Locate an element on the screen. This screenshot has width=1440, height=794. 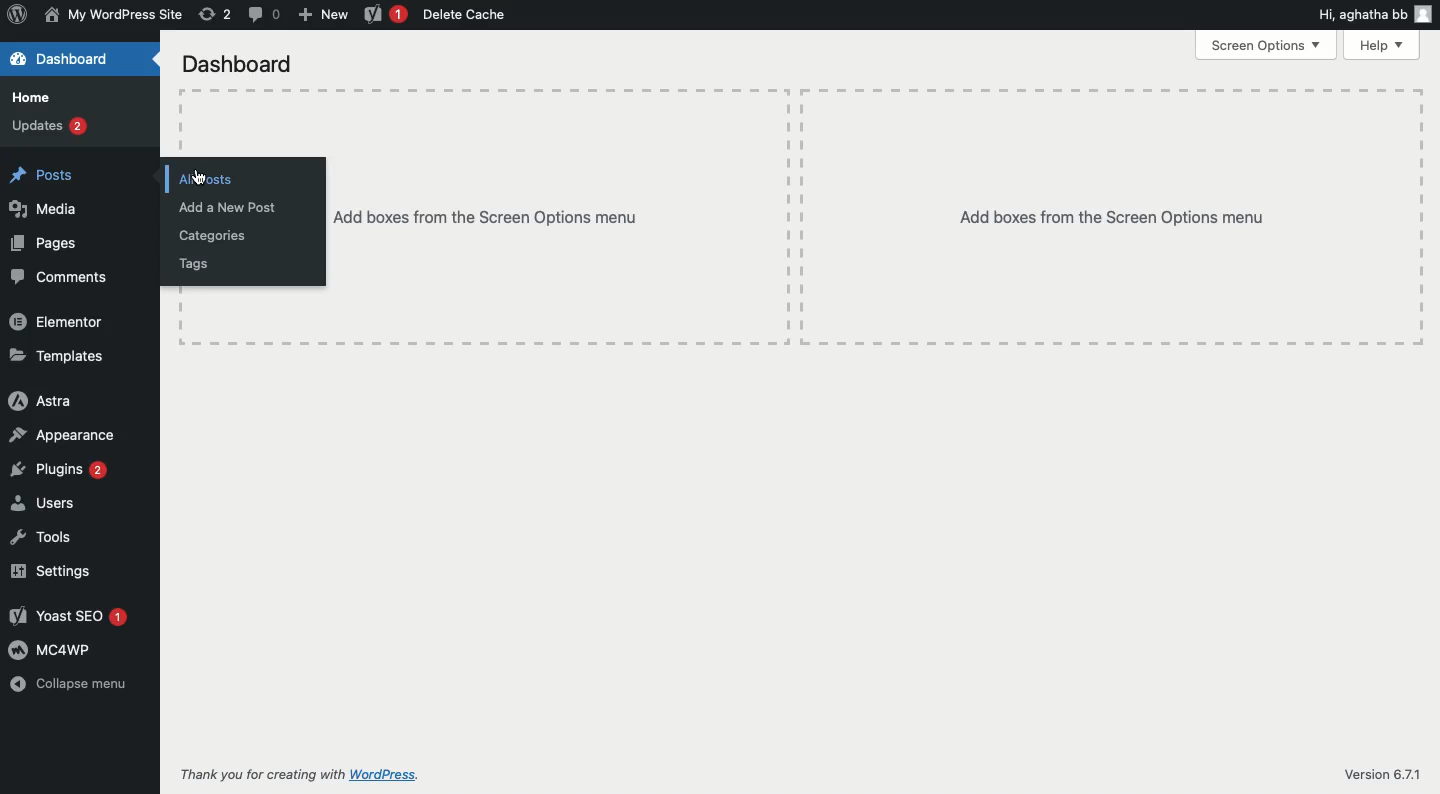
Templates is located at coordinates (55, 356).